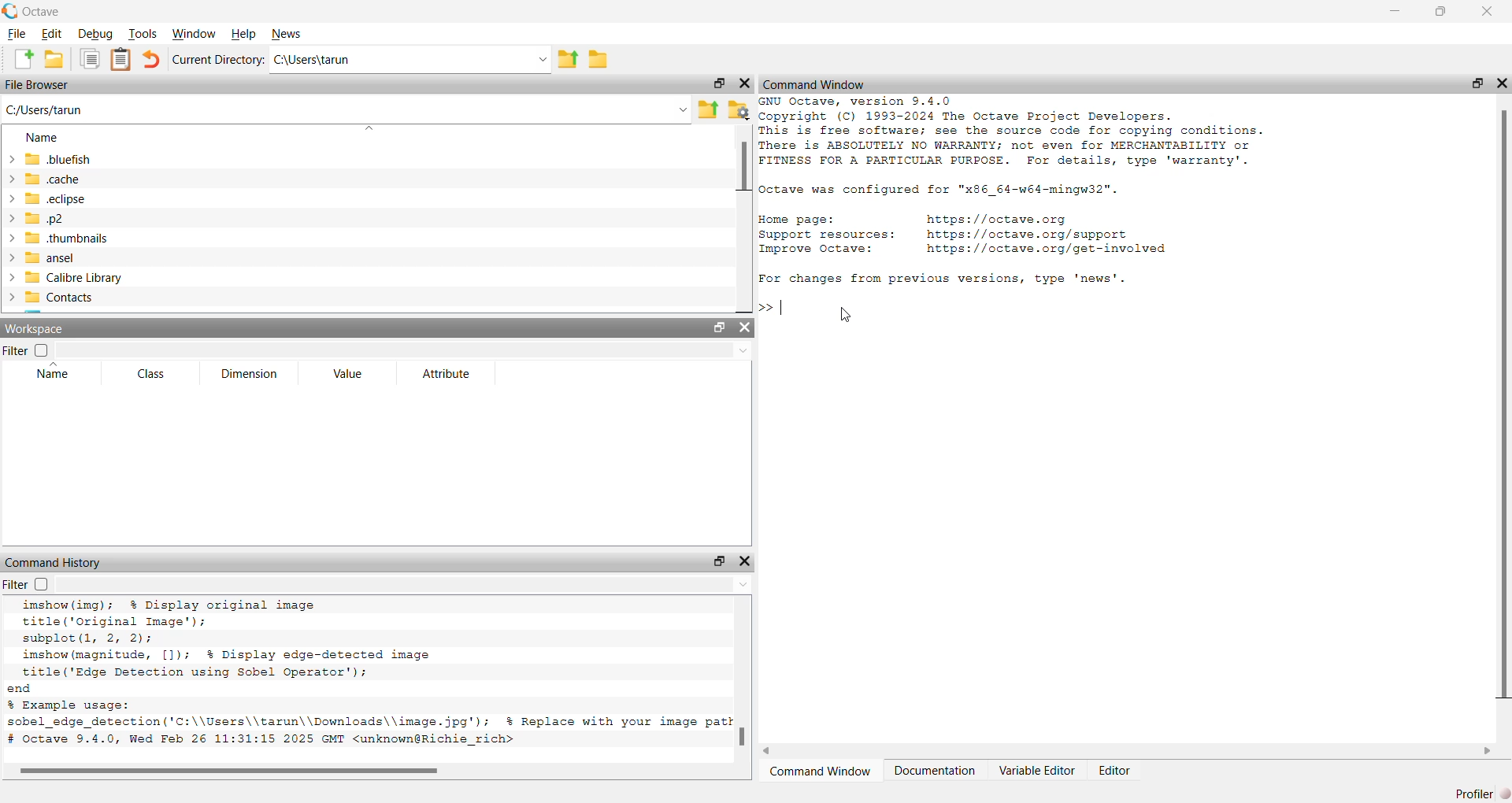  What do you see at coordinates (72, 276) in the screenshot?
I see ` Calibre Library` at bounding box center [72, 276].